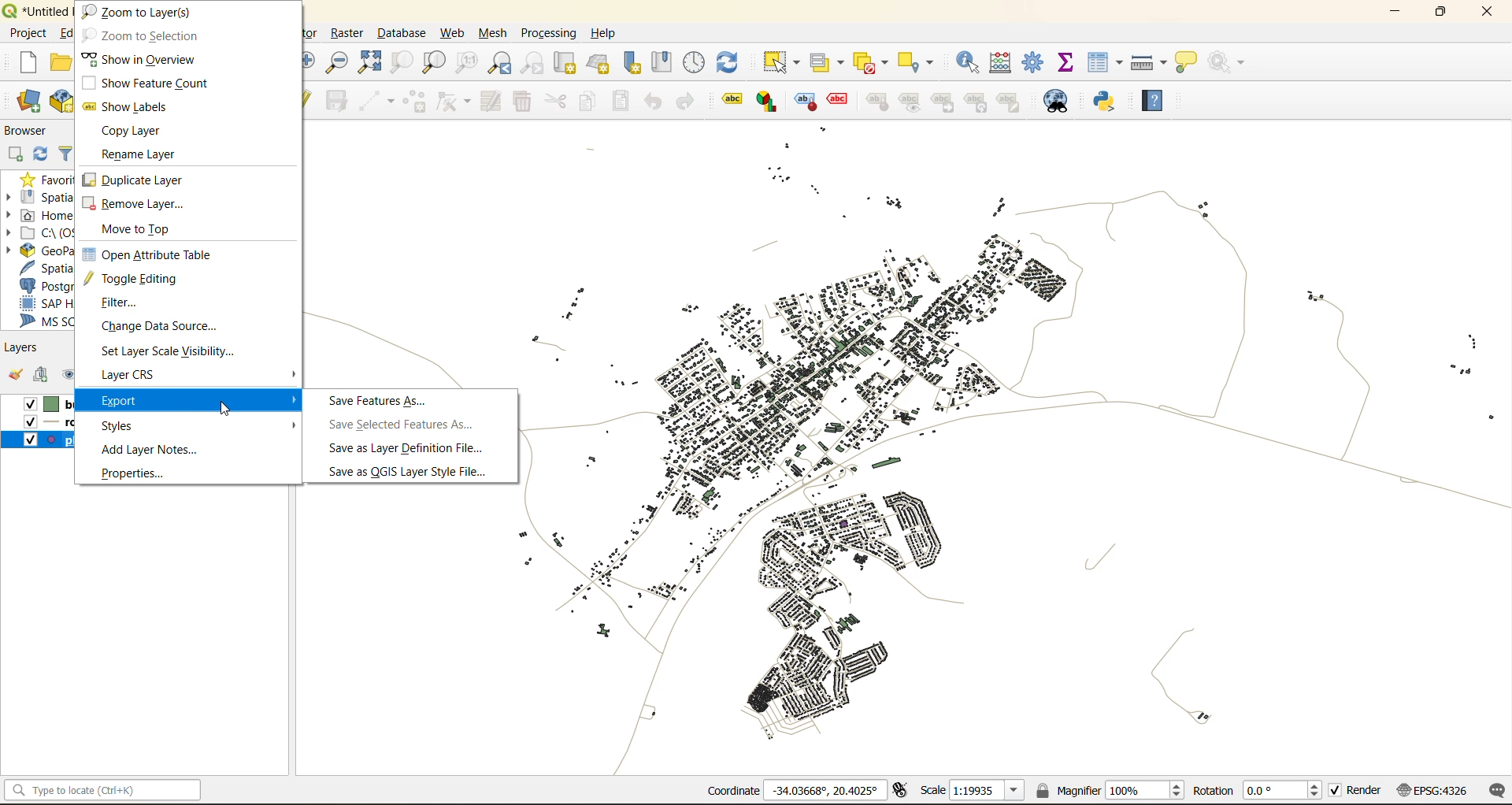  I want to click on web, so click(450, 33).